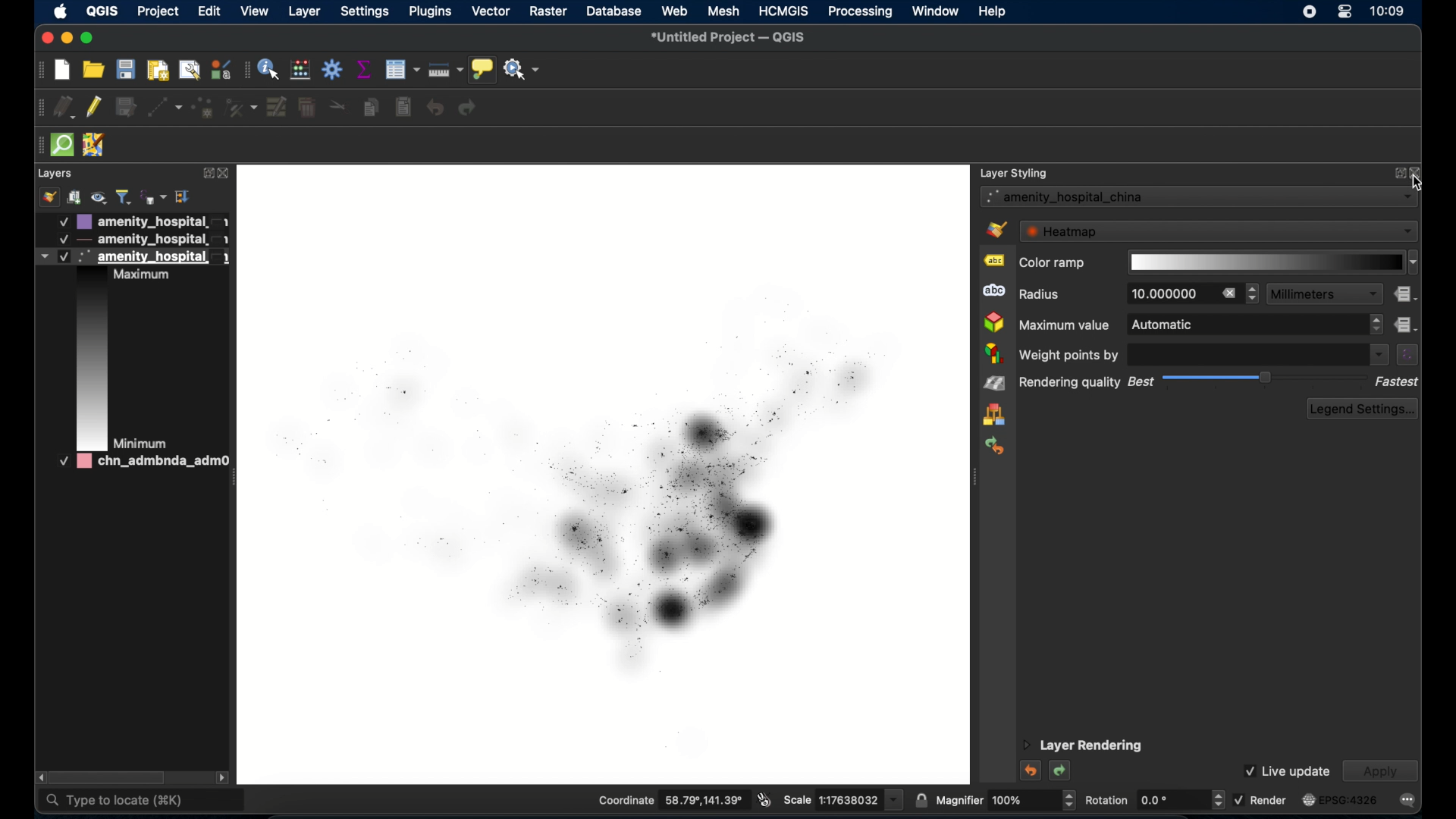 This screenshot has height=819, width=1456. What do you see at coordinates (371, 108) in the screenshot?
I see `copy features` at bounding box center [371, 108].